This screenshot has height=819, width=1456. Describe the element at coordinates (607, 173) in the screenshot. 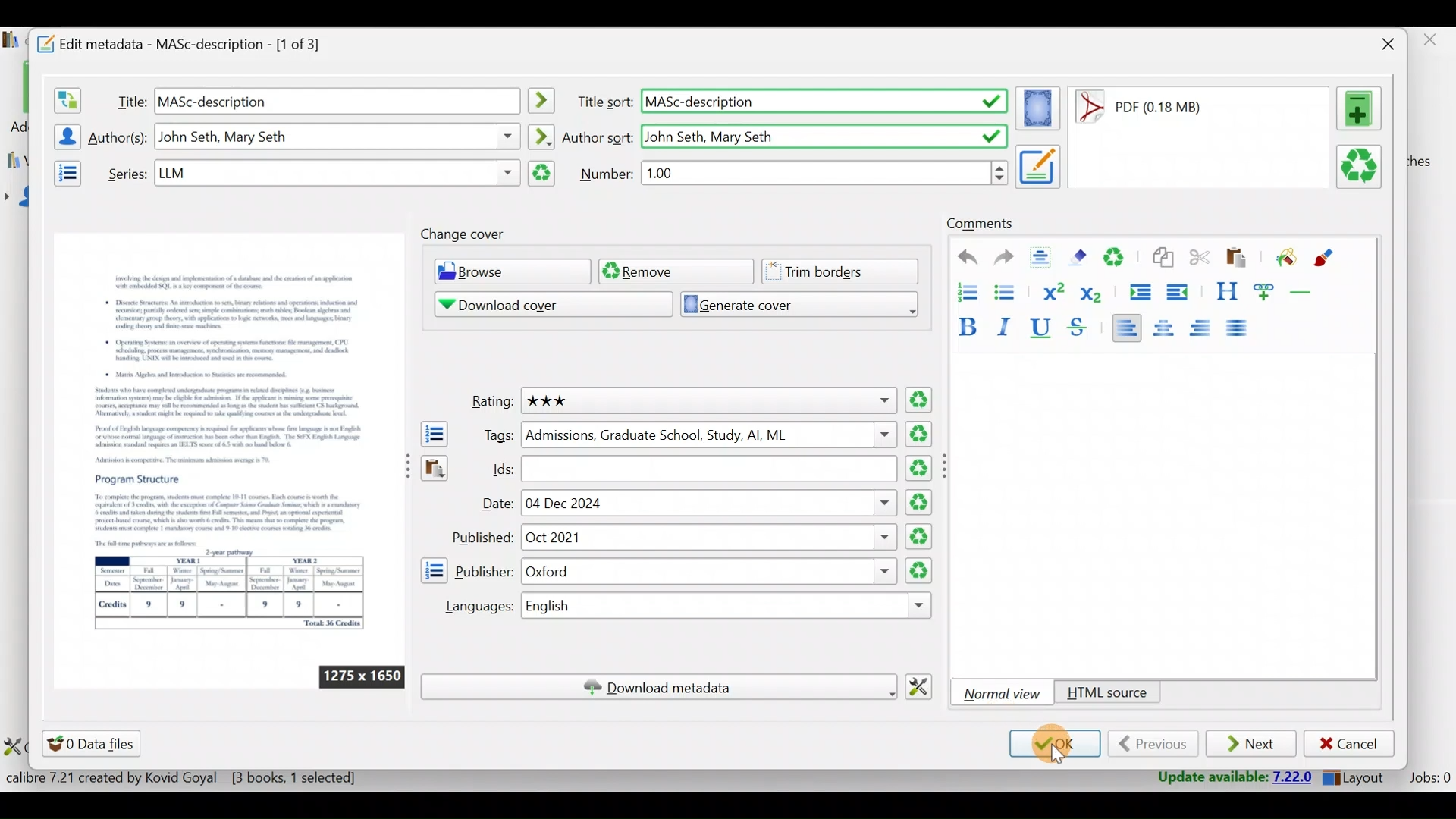

I see `Number` at that location.